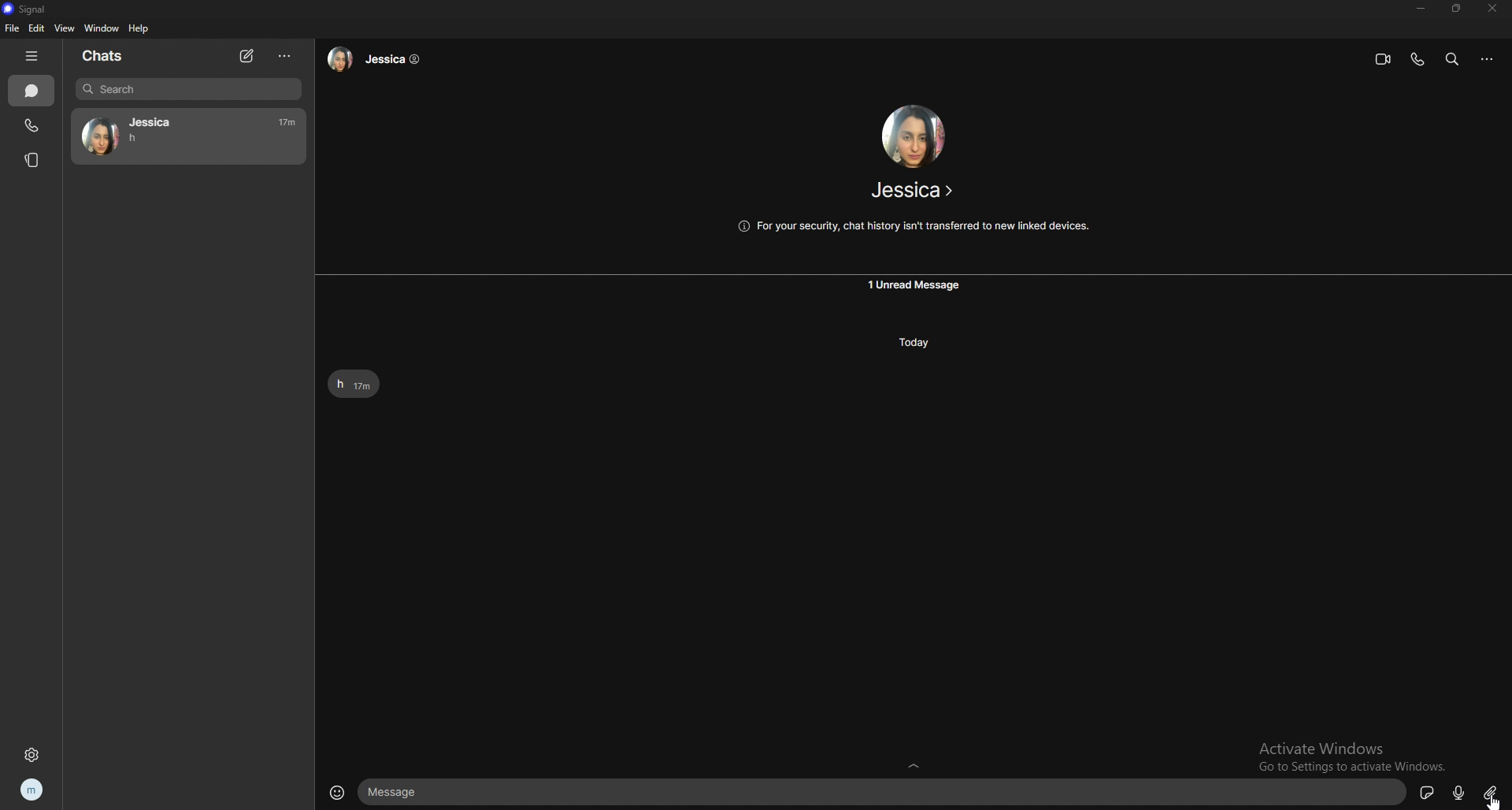 The image size is (1512, 810). Describe the element at coordinates (1488, 59) in the screenshot. I see `options` at that location.